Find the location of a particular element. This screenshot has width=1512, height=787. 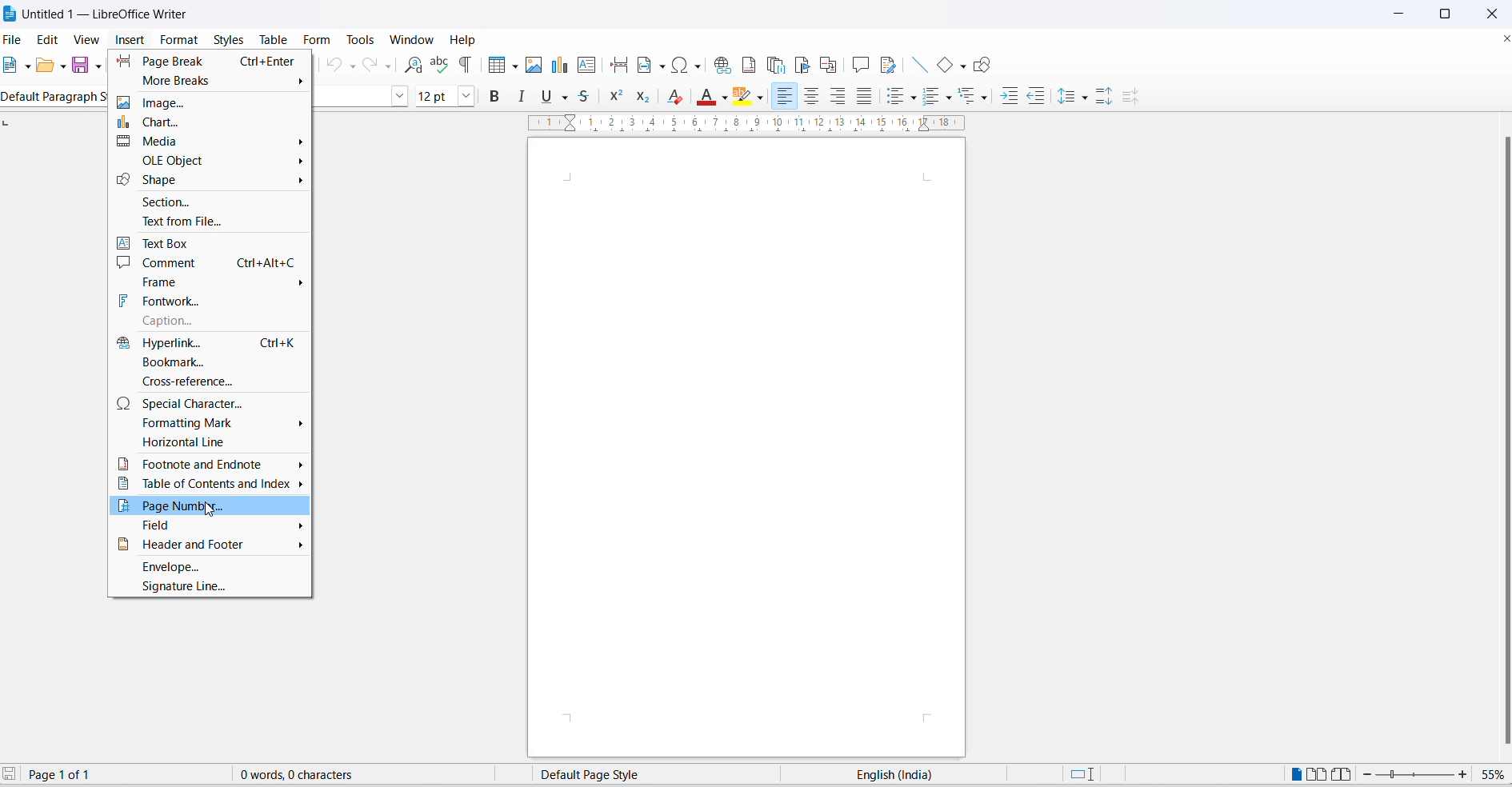

text box is located at coordinates (209, 243).